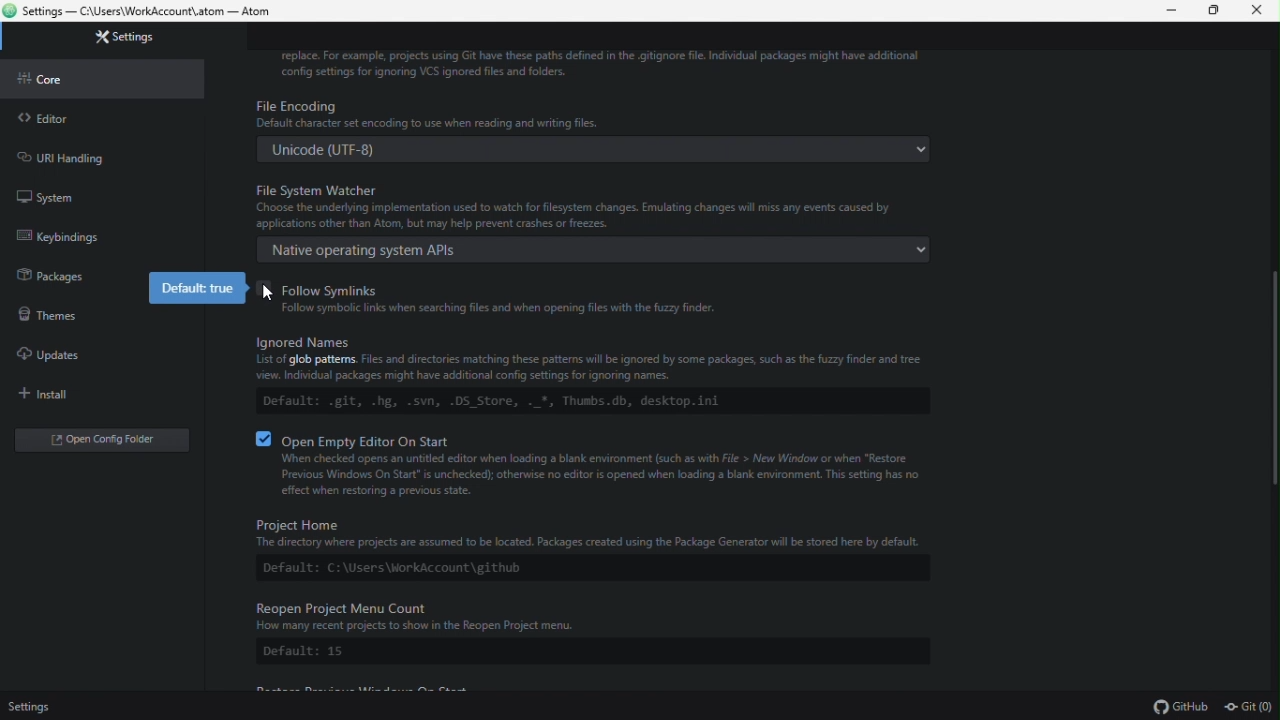 The height and width of the screenshot is (720, 1280). I want to click on GitHub, so click(1181, 708).